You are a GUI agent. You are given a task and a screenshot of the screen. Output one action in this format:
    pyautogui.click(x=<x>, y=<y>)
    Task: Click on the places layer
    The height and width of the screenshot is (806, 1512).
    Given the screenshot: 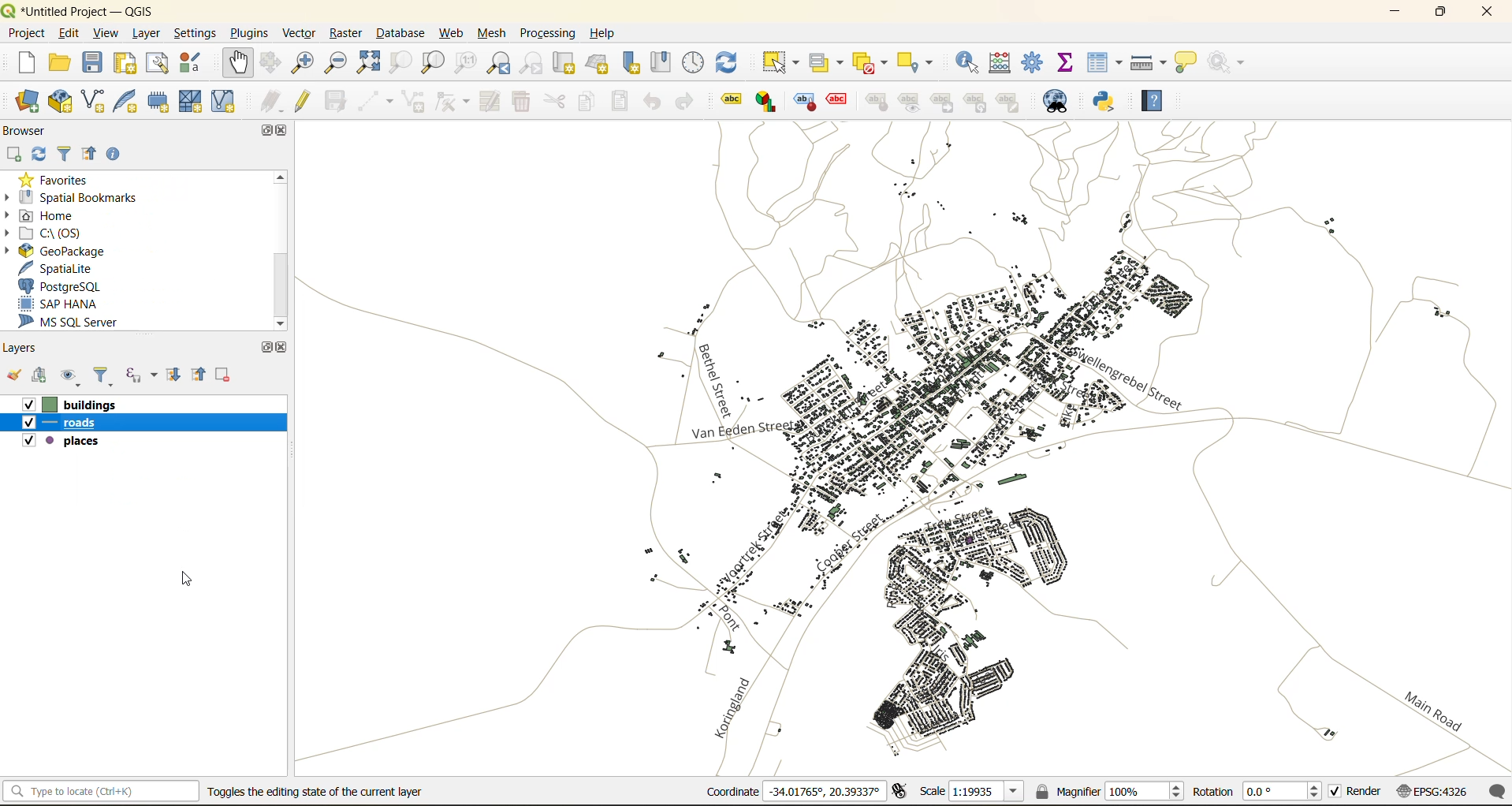 What is the action you would take?
    pyautogui.click(x=75, y=444)
    